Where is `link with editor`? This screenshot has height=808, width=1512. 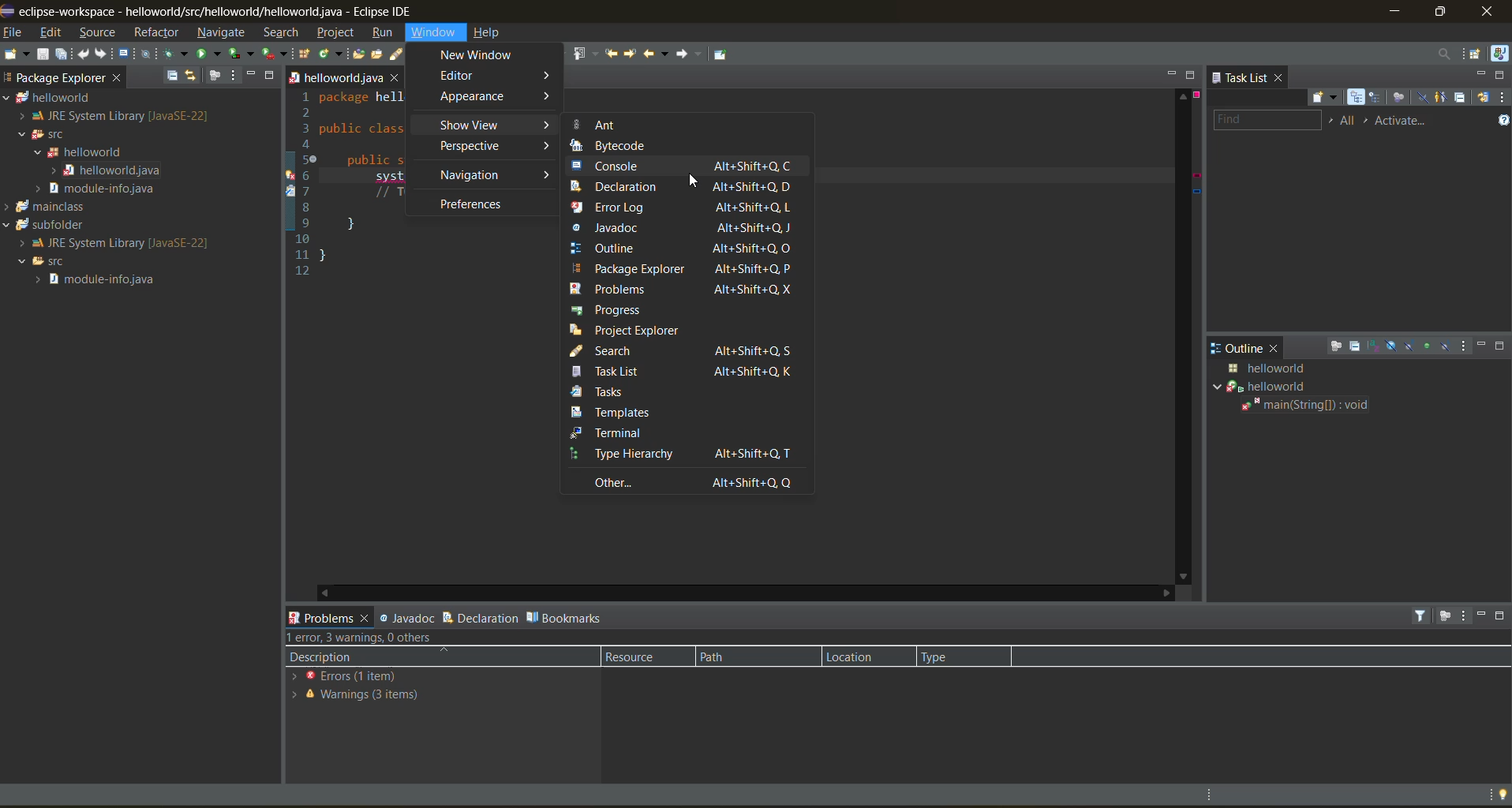 link with editor is located at coordinates (194, 77).